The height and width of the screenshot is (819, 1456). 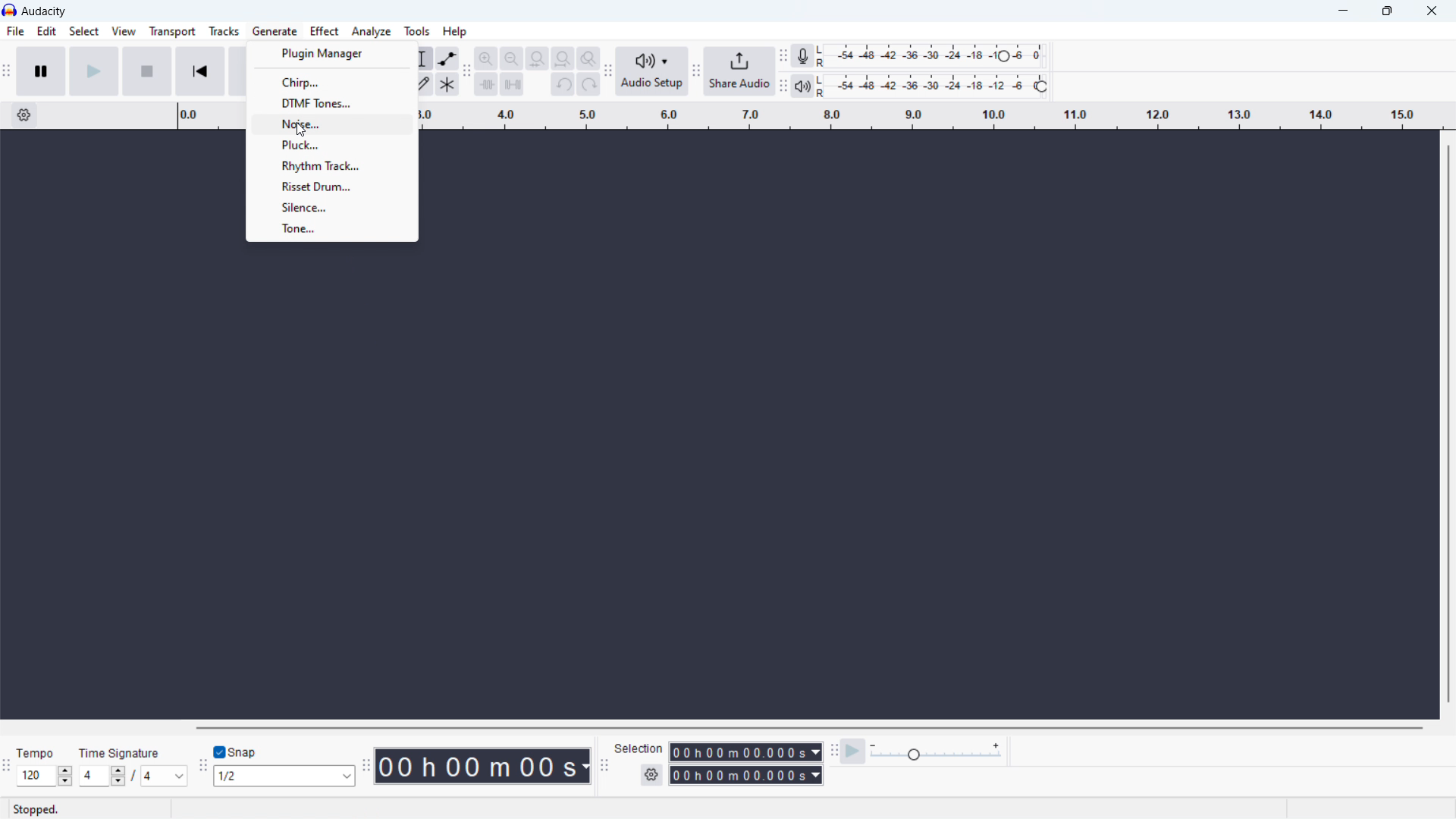 I want to click on edit toolbar, so click(x=468, y=71).